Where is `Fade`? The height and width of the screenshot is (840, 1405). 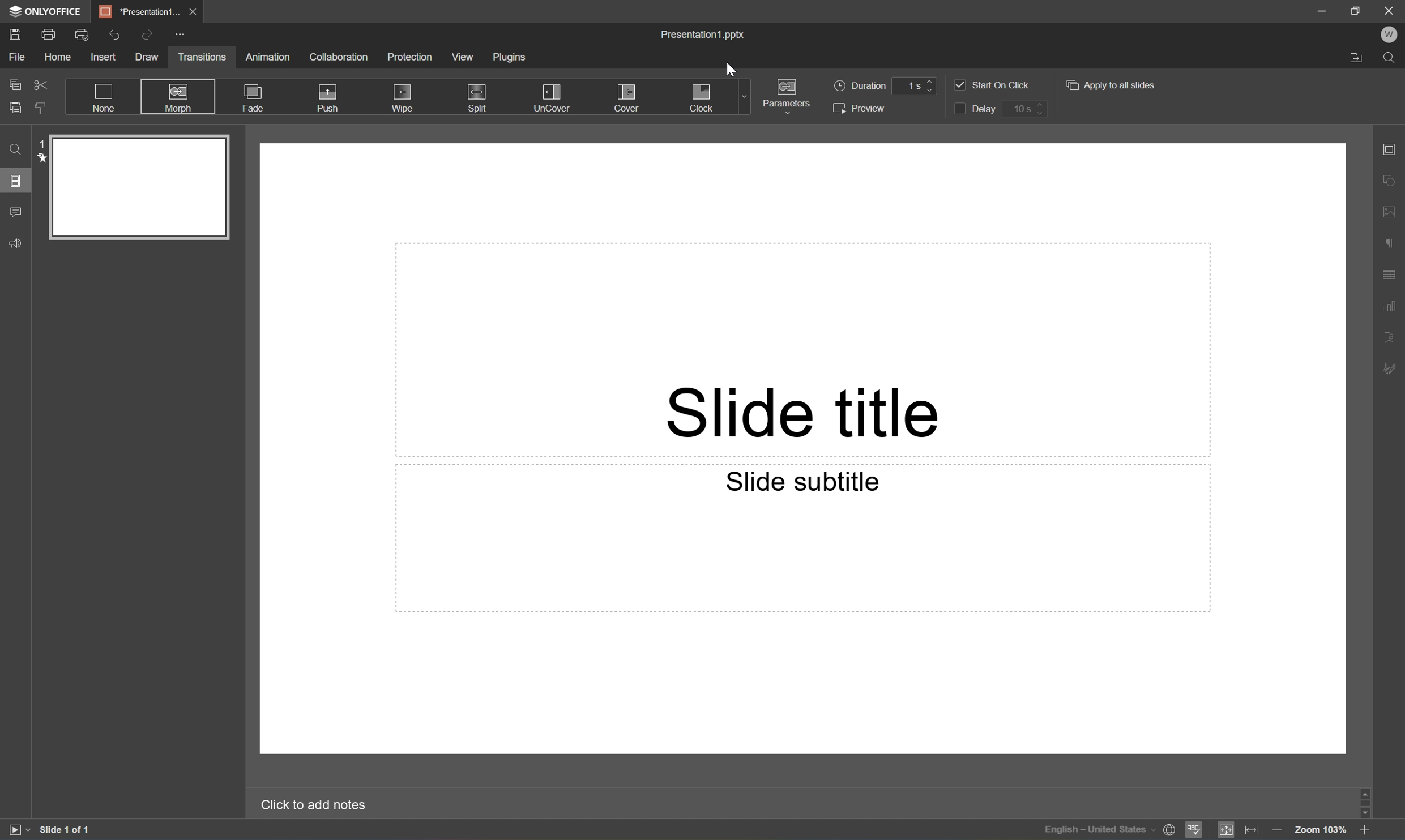
Fade is located at coordinates (252, 98).